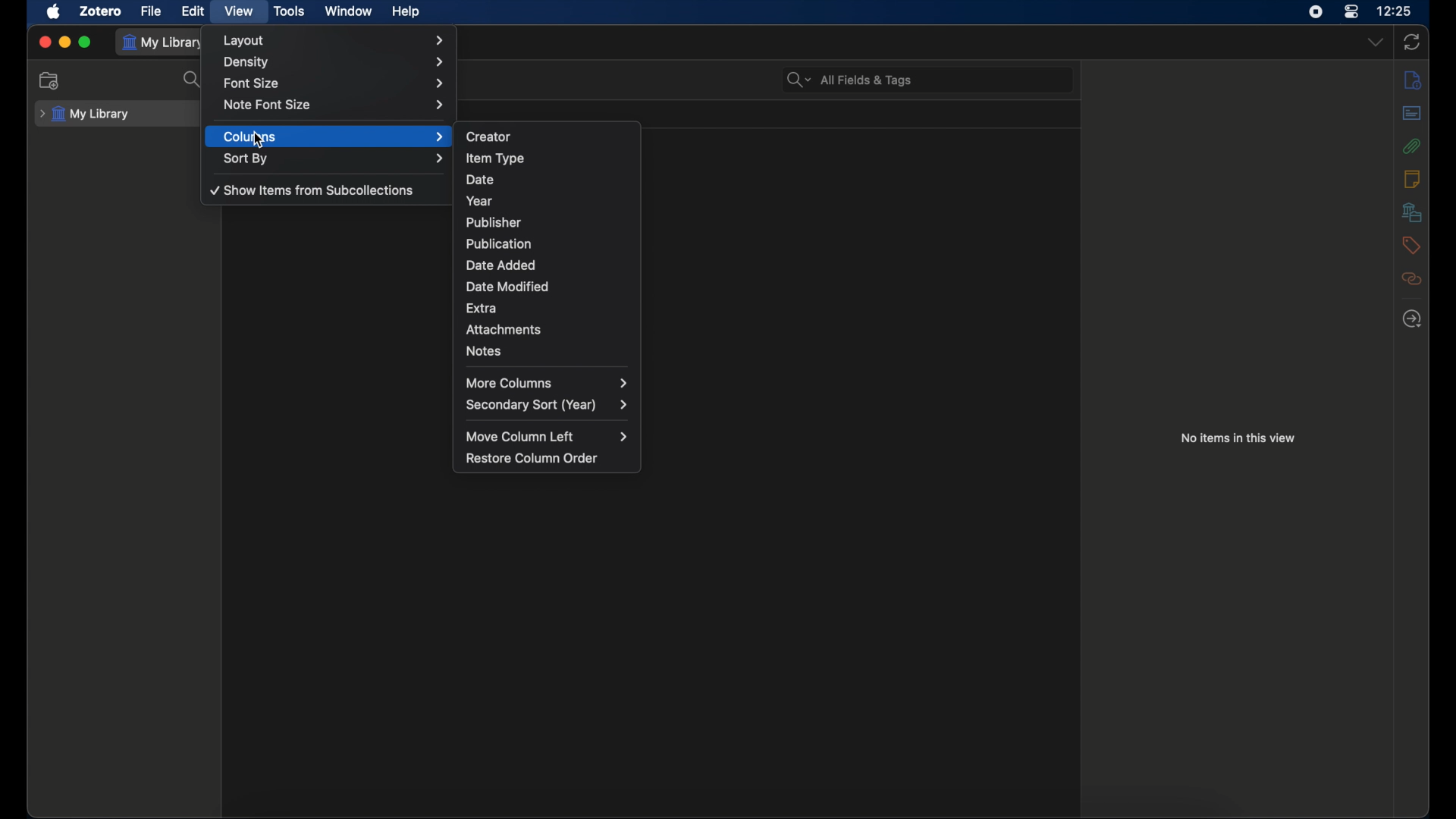 This screenshot has width=1456, height=819. Describe the element at coordinates (504, 330) in the screenshot. I see `attachments` at that location.